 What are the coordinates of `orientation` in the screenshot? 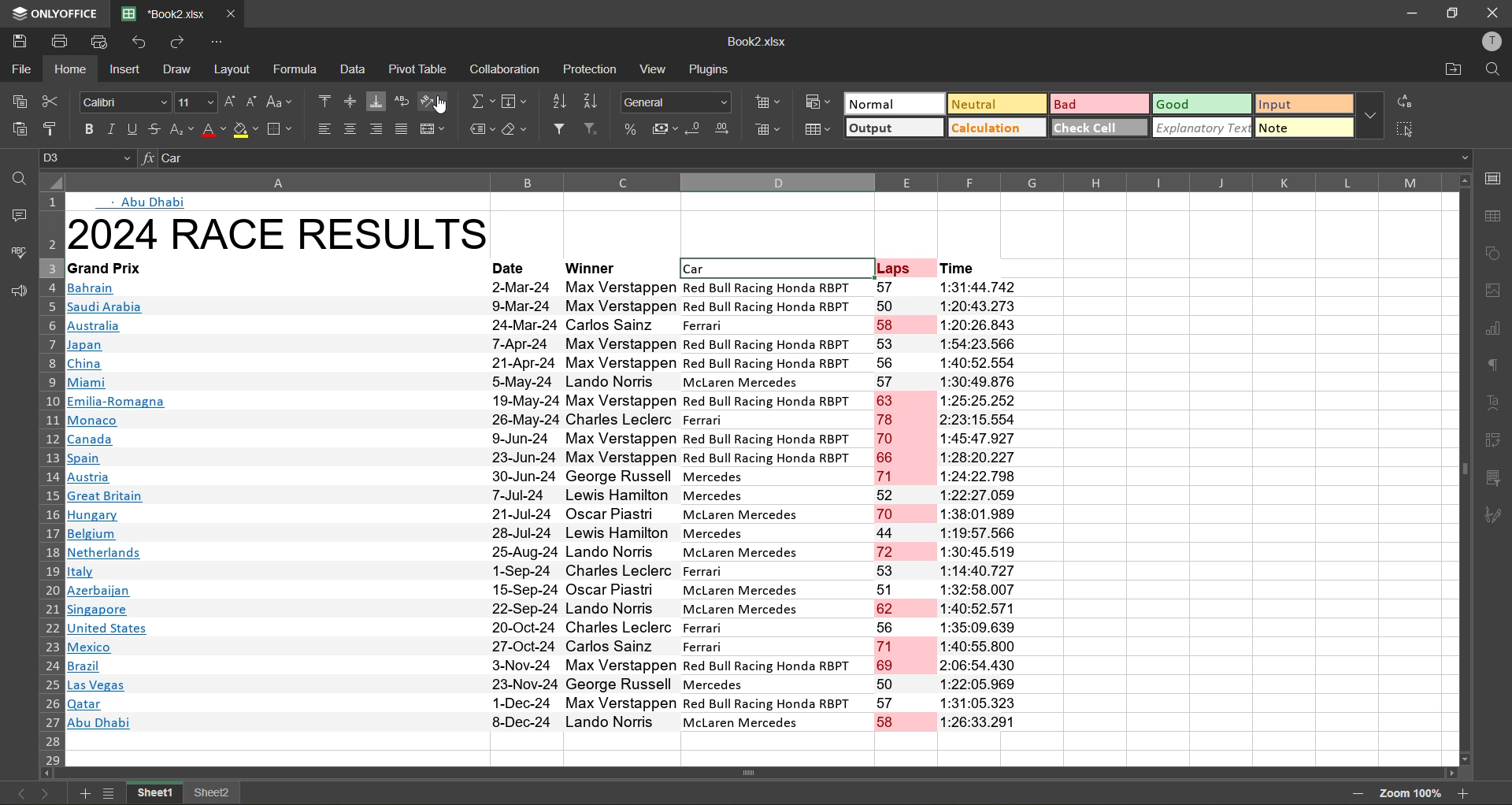 It's located at (435, 101).